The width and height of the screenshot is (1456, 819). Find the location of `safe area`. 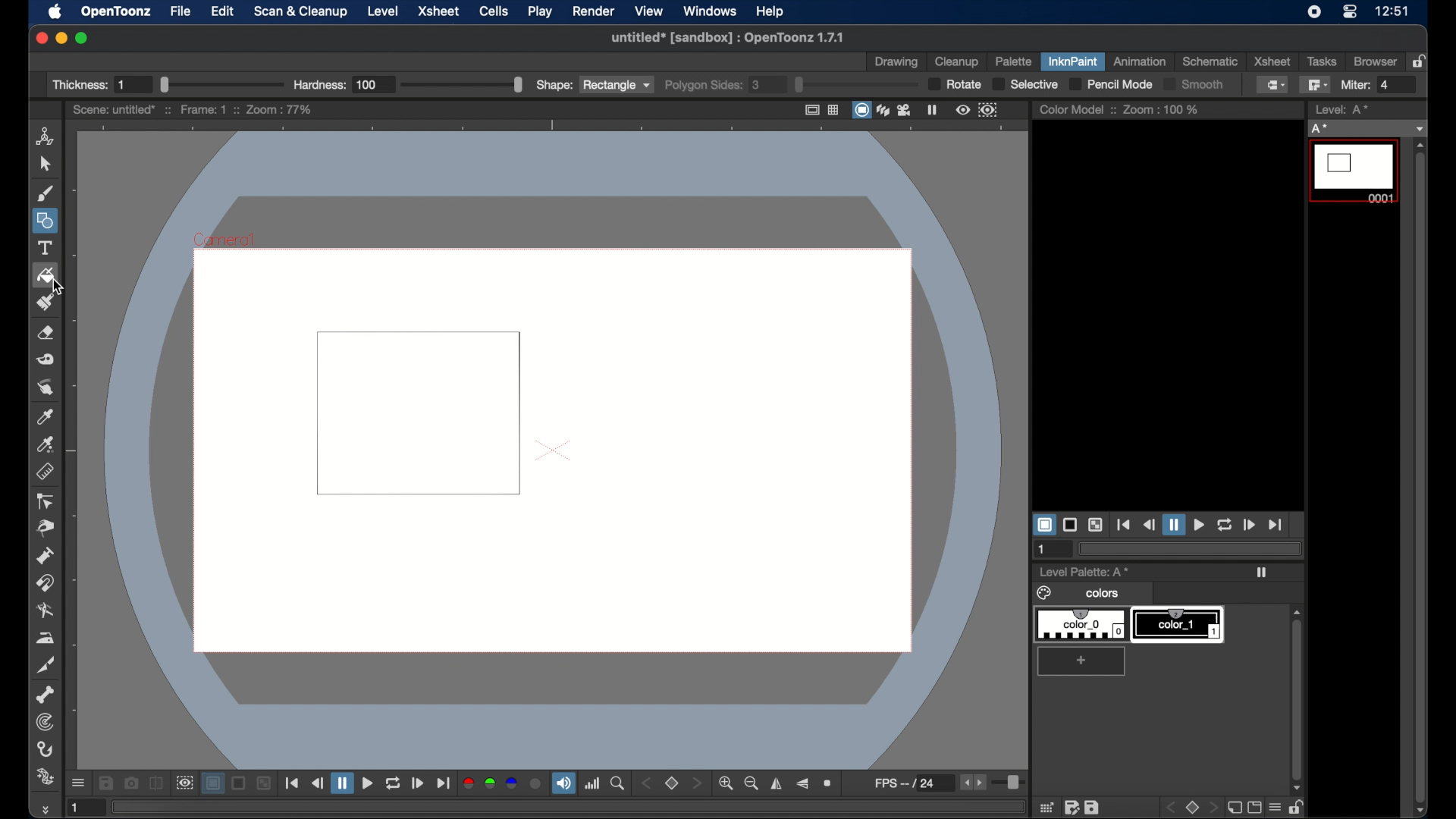

safe area is located at coordinates (810, 109).